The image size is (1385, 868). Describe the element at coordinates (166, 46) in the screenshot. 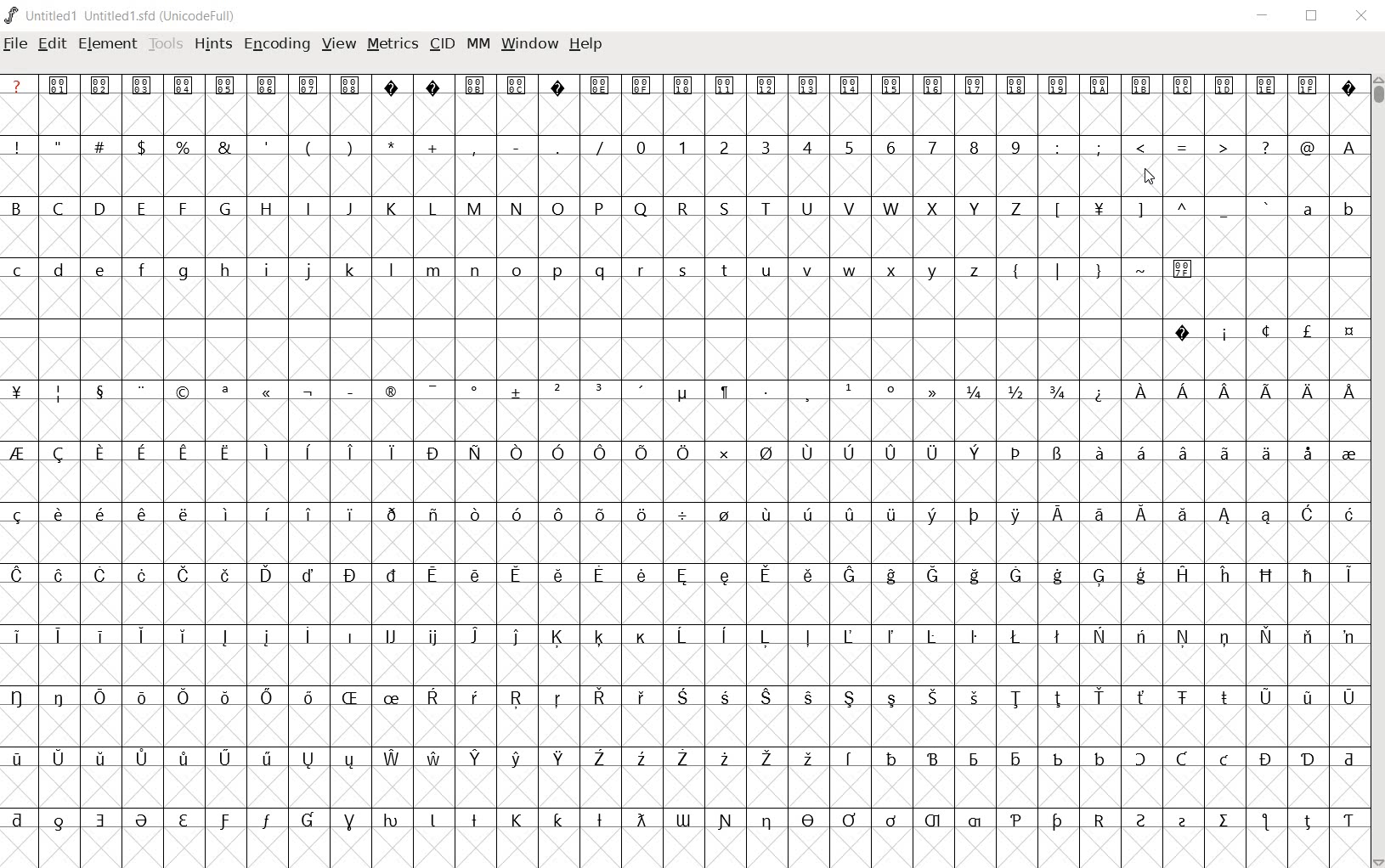

I see `tools` at that location.